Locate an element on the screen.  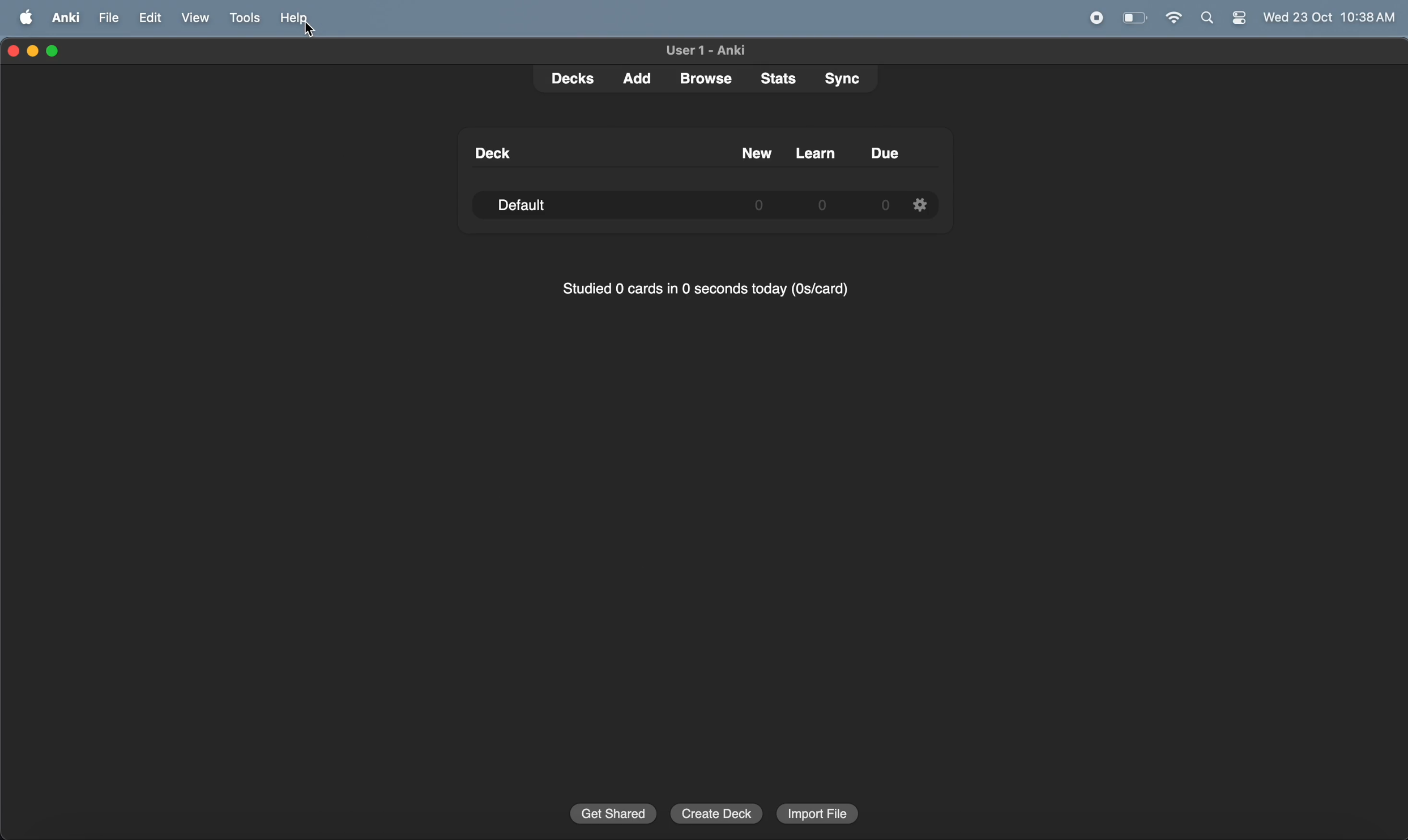
get shared is located at coordinates (612, 813).